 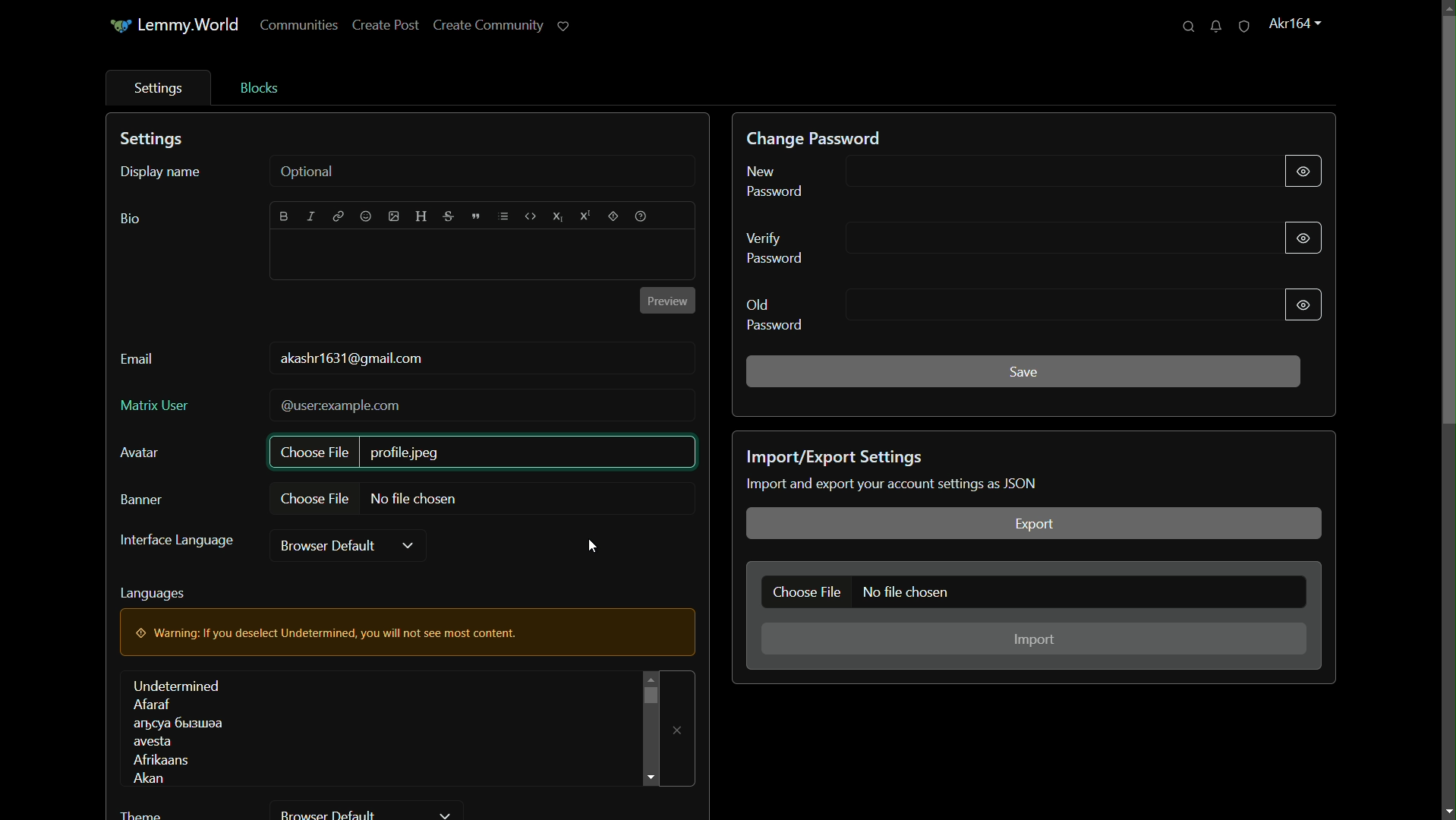 I want to click on preview, so click(x=666, y=301).